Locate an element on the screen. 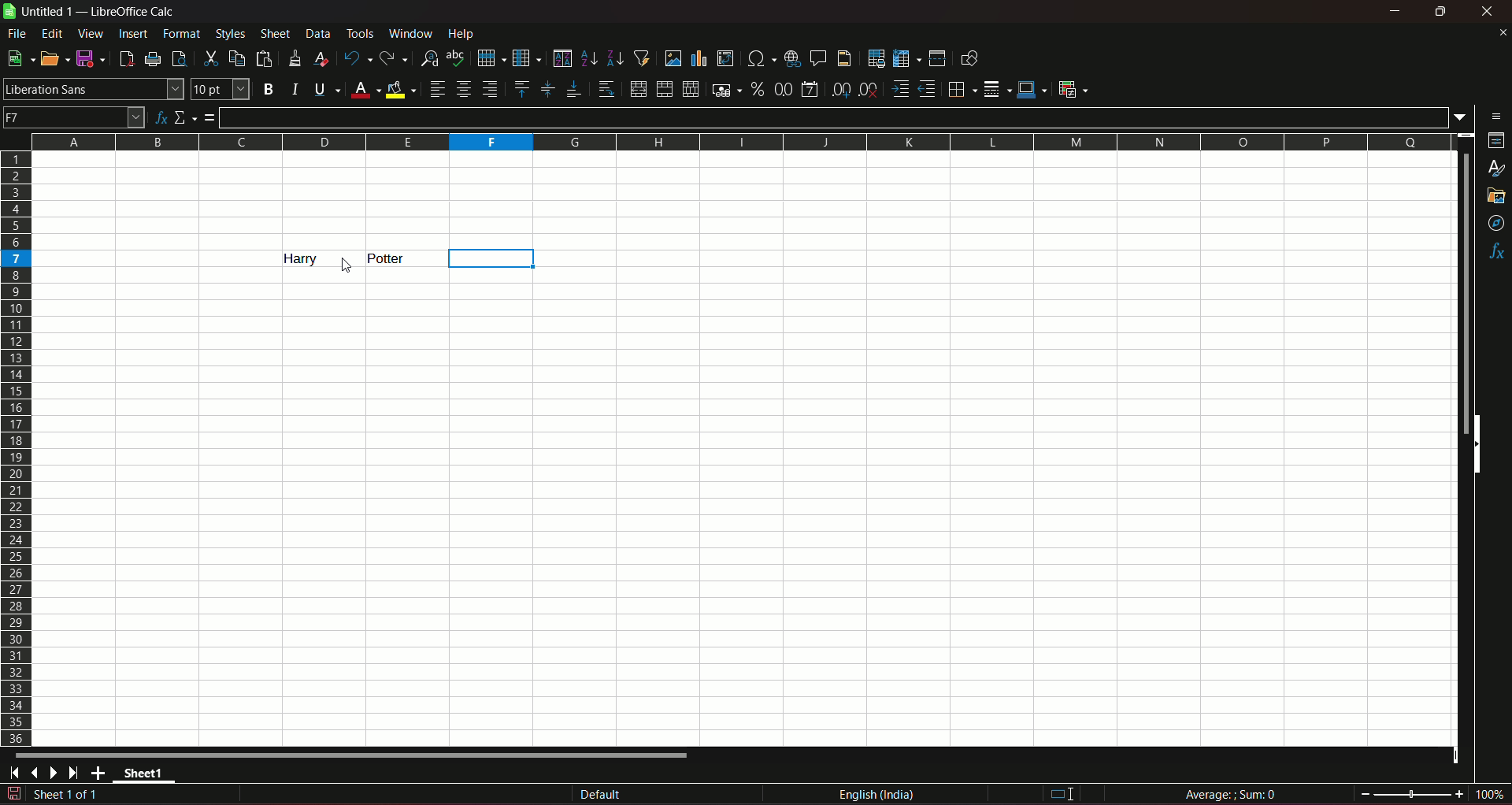 The image size is (1512, 805). insert or edit pivot table is located at coordinates (726, 57).